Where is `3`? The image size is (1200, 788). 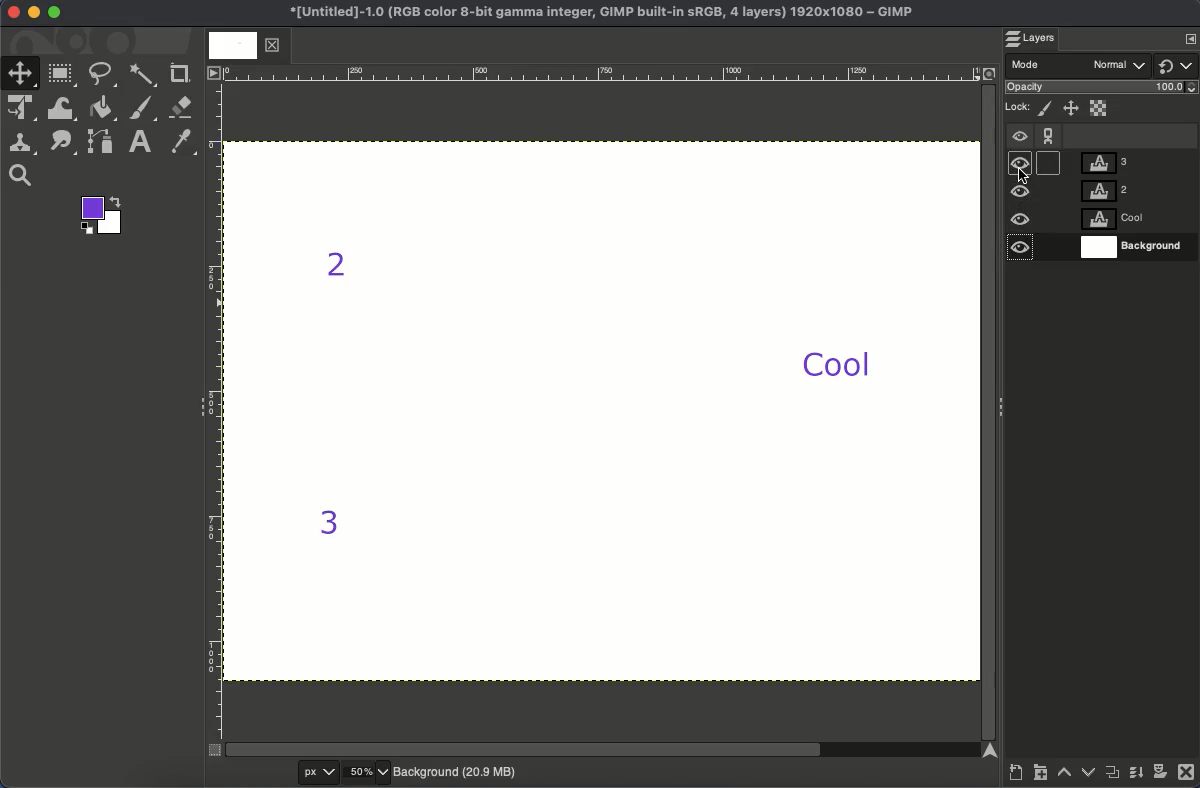 3 is located at coordinates (333, 511).